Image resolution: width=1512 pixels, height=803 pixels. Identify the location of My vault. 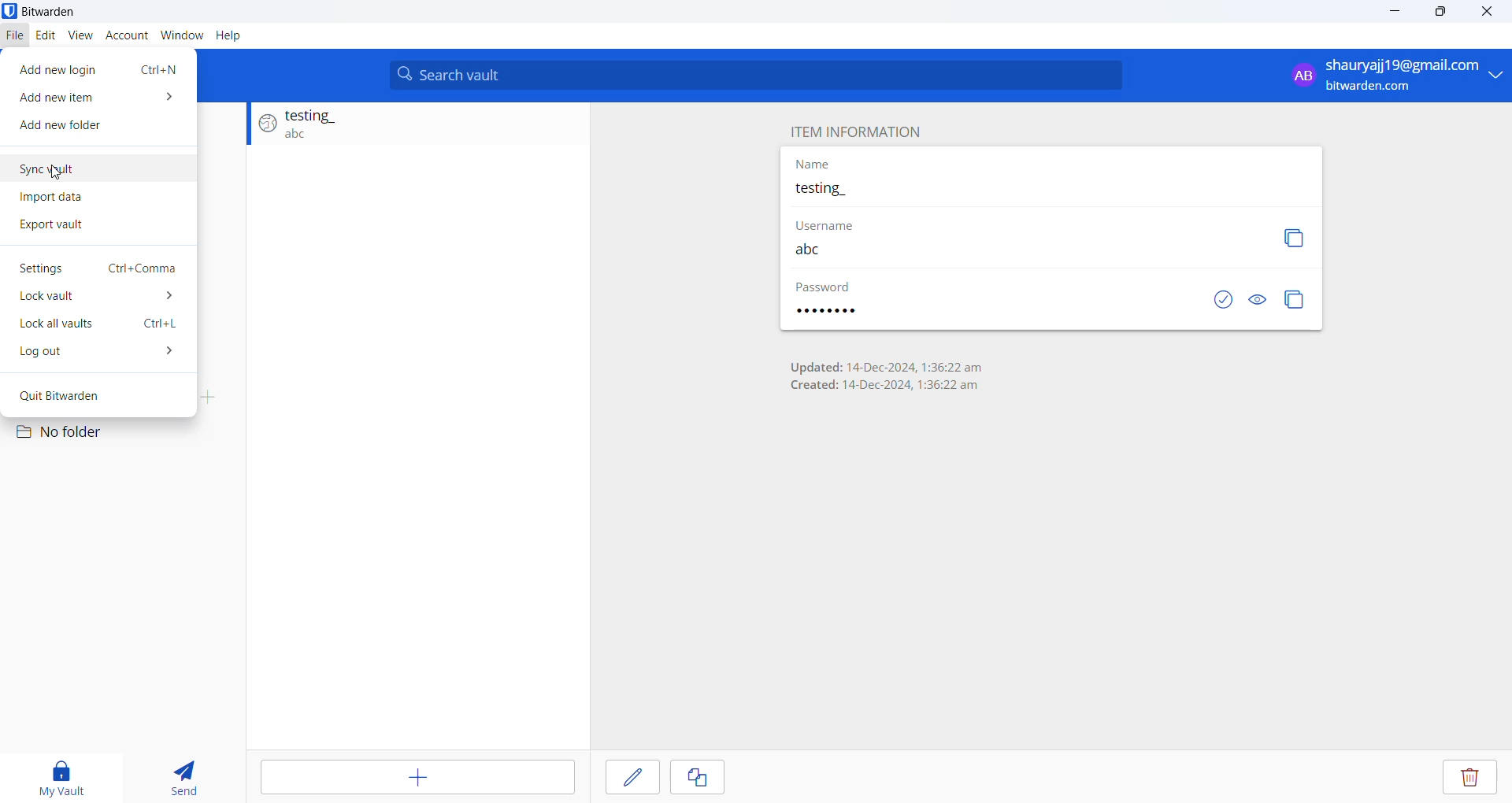
(69, 774).